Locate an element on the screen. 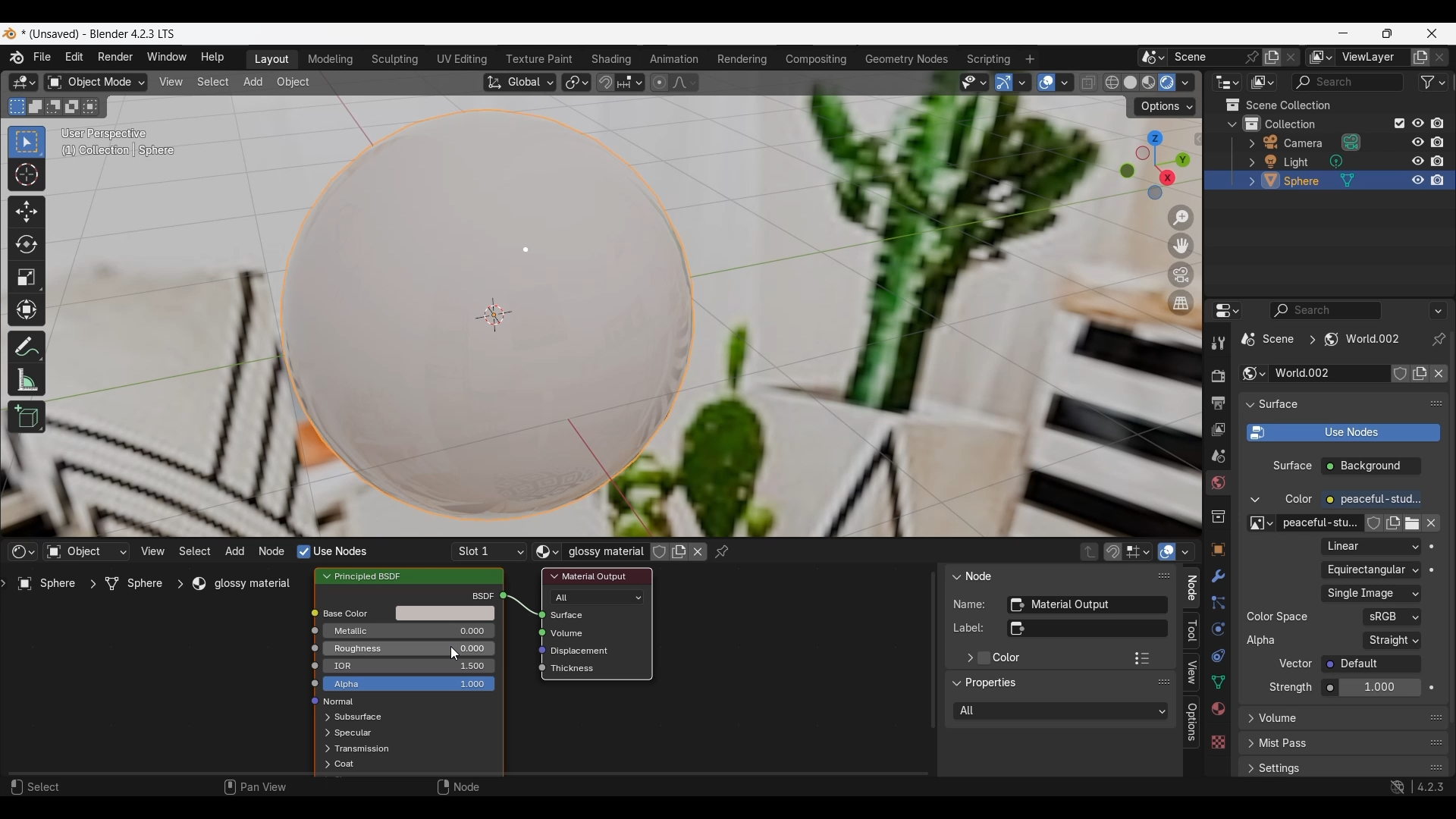 The height and width of the screenshot is (819, 1456). Base color is located at coordinates (356, 614).